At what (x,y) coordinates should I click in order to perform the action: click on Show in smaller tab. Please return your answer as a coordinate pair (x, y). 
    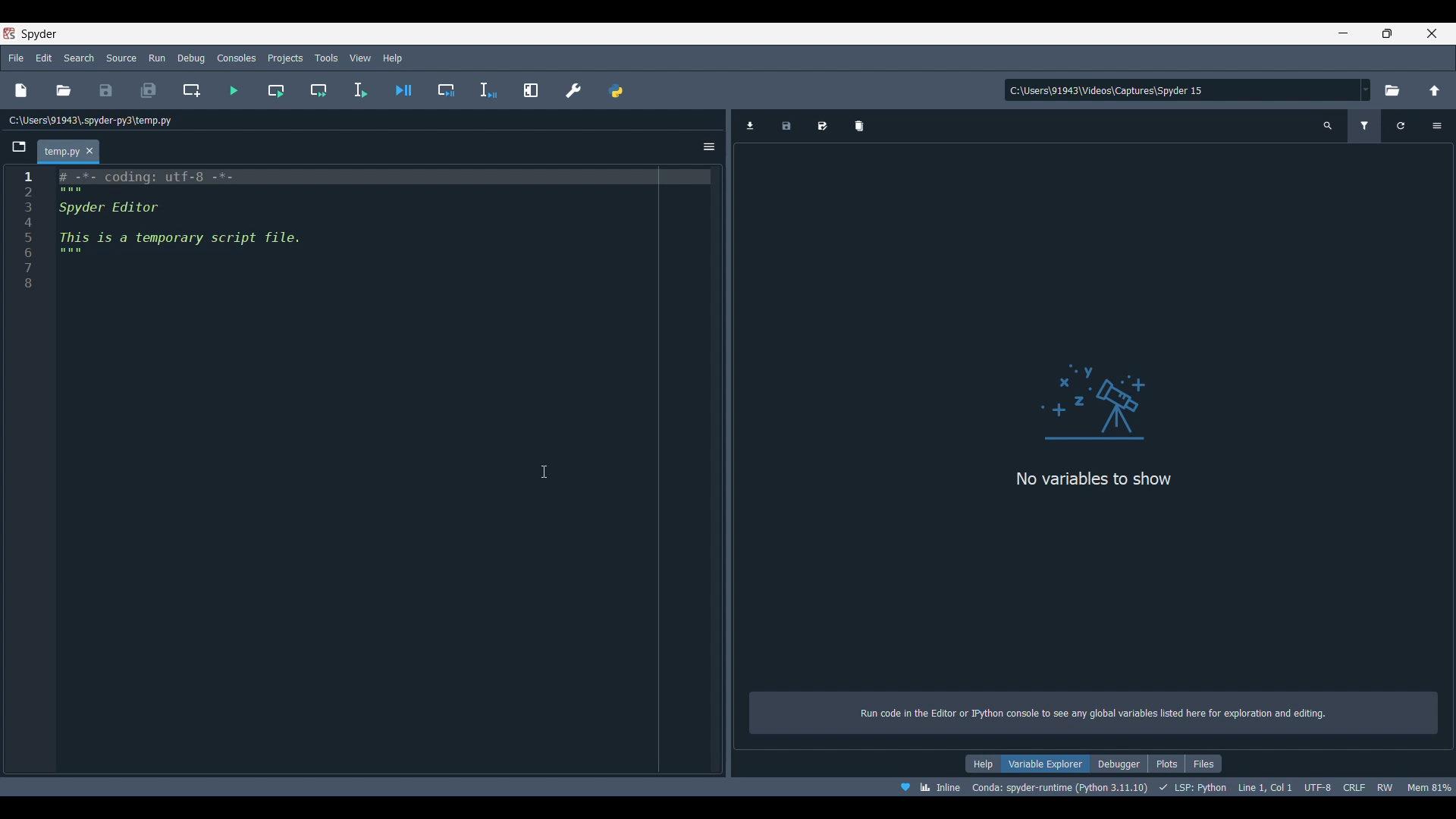
    Looking at the image, I should click on (1388, 33).